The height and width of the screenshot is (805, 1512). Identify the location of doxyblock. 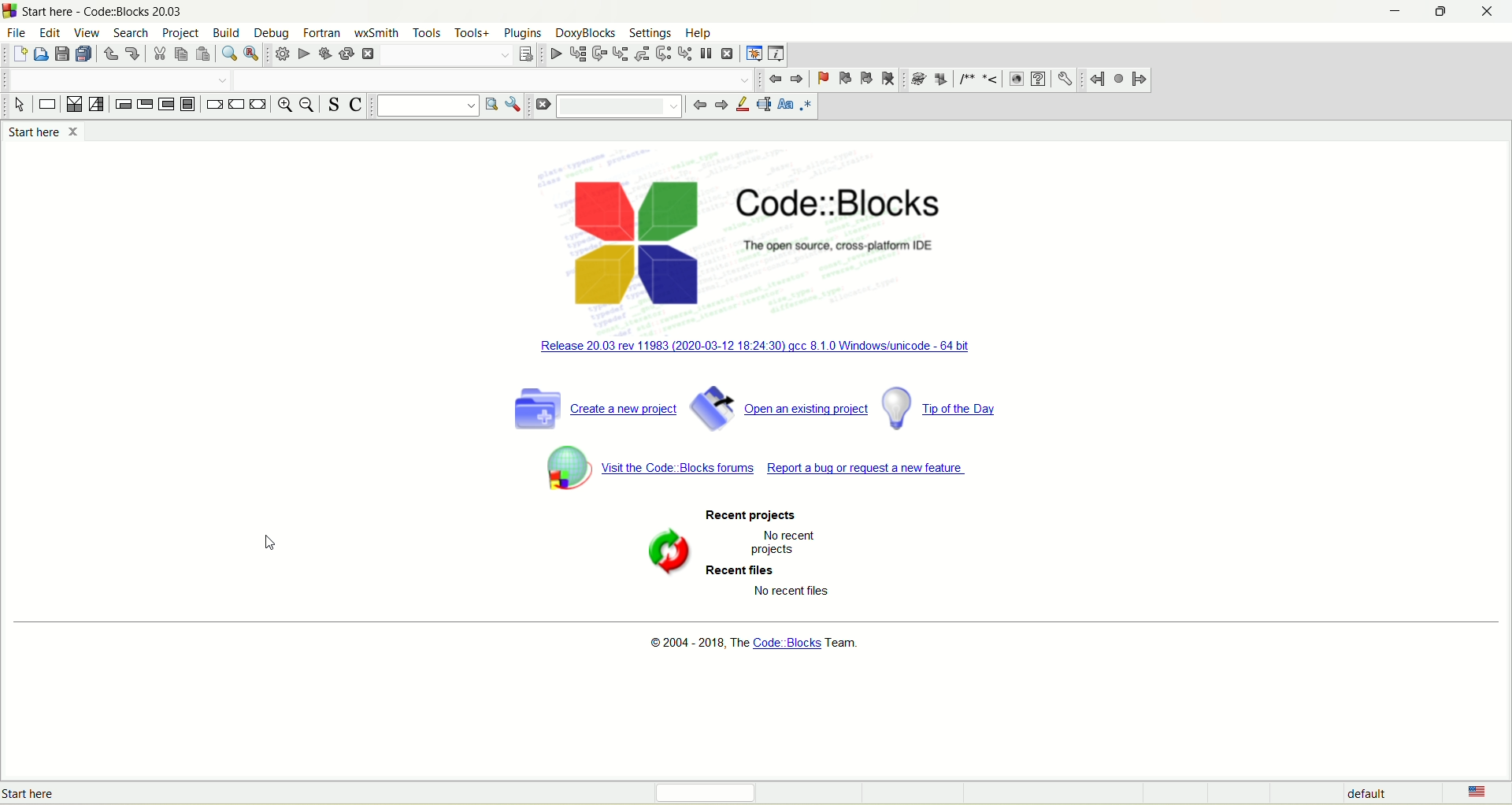
(586, 32).